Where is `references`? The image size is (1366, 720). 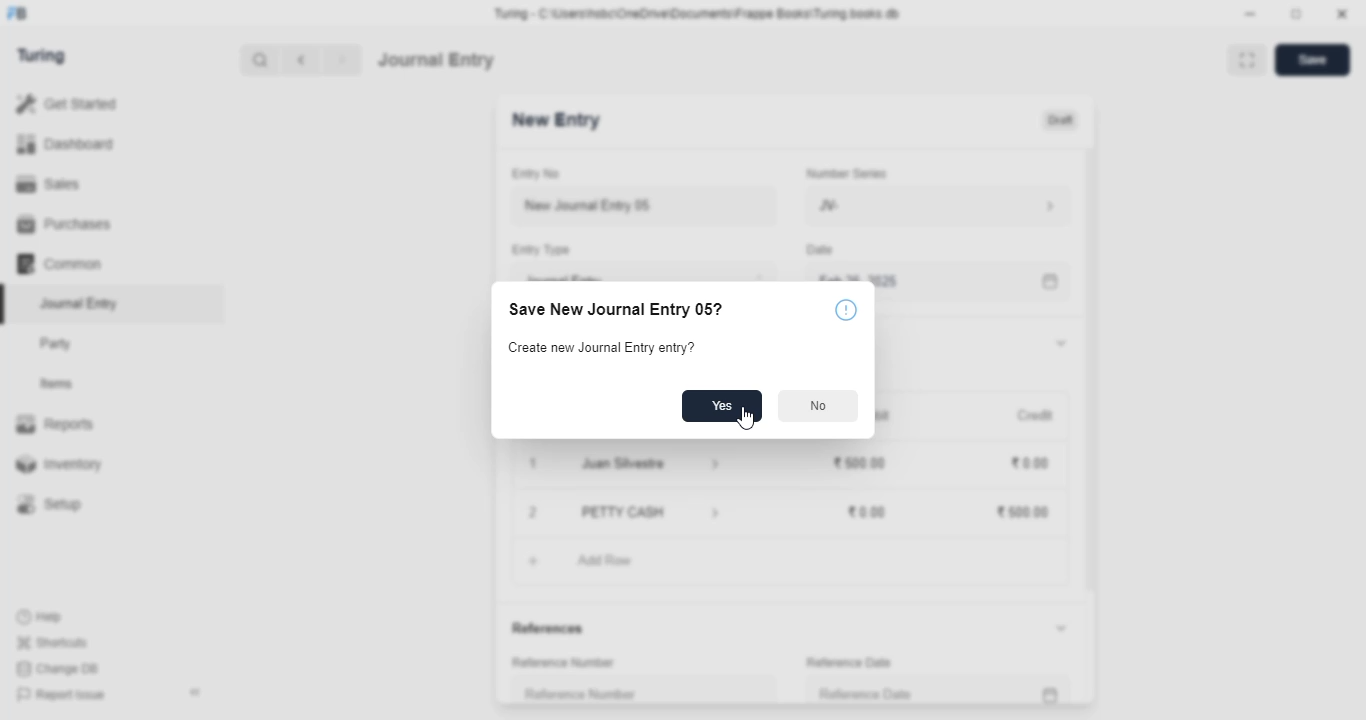
references is located at coordinates (547, 628).